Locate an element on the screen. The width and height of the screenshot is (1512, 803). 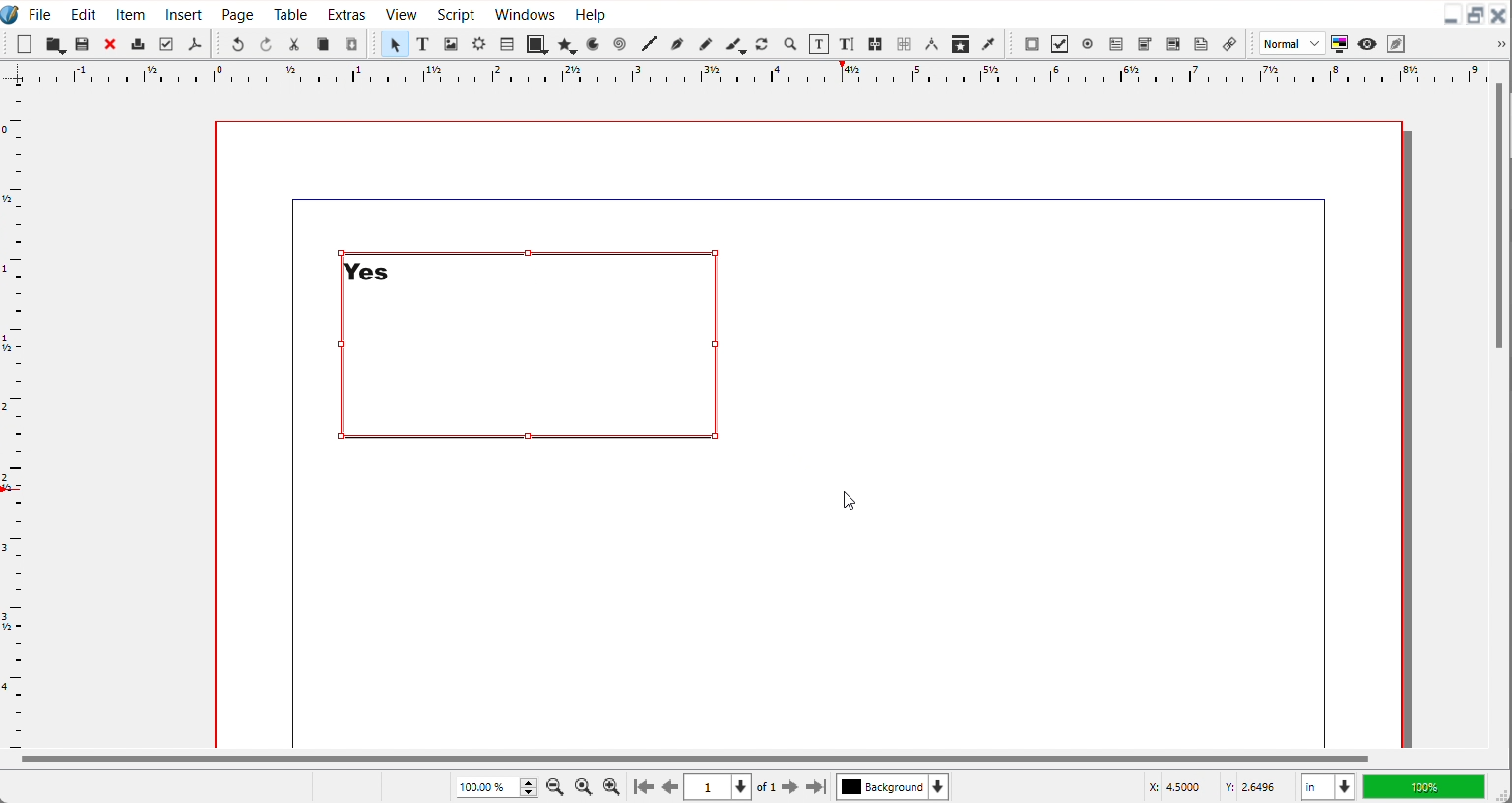
Select current layer is located at coordinates (893, 786).